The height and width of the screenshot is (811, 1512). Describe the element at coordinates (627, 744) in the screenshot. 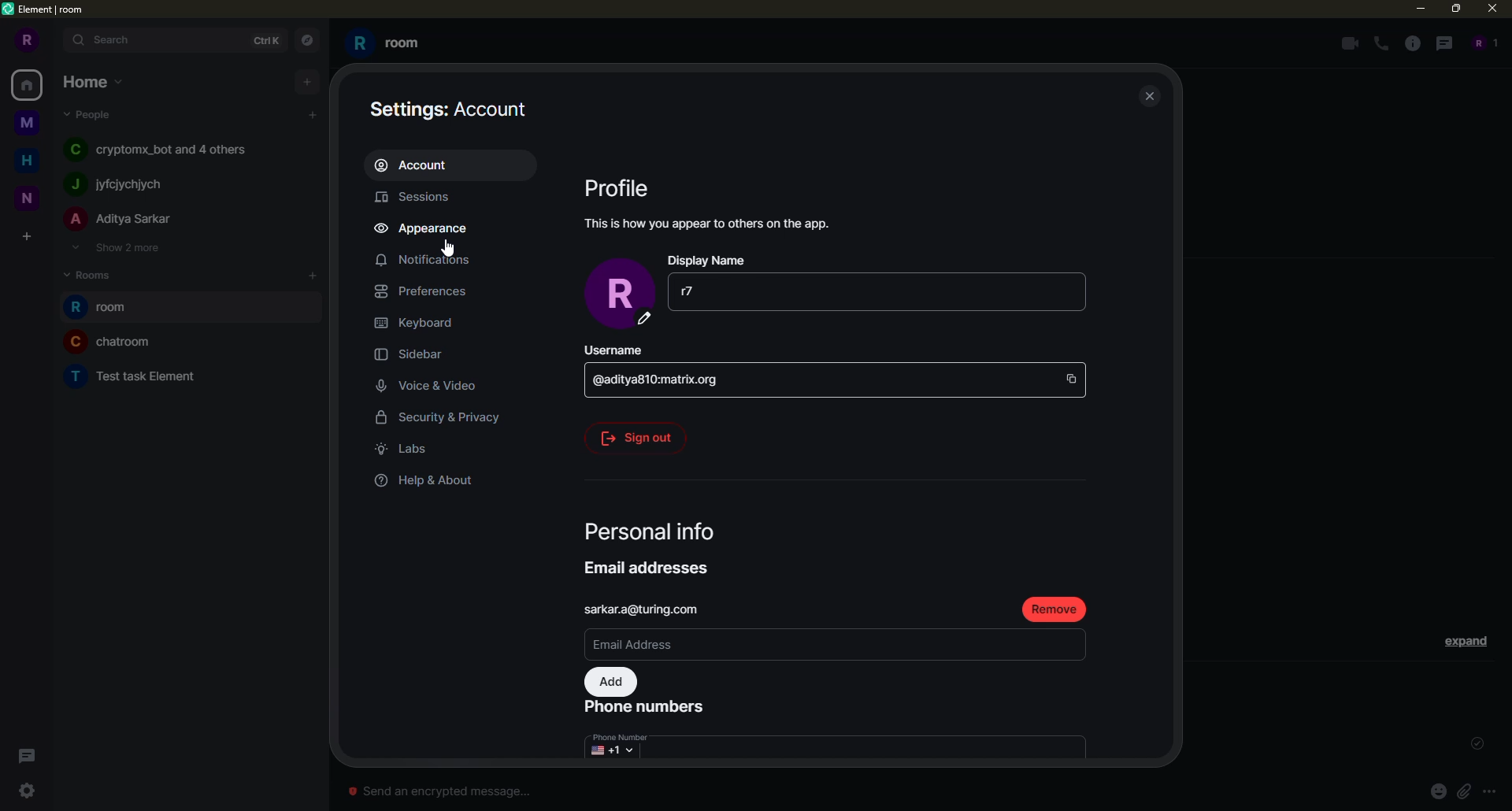

I see `number` at that location.